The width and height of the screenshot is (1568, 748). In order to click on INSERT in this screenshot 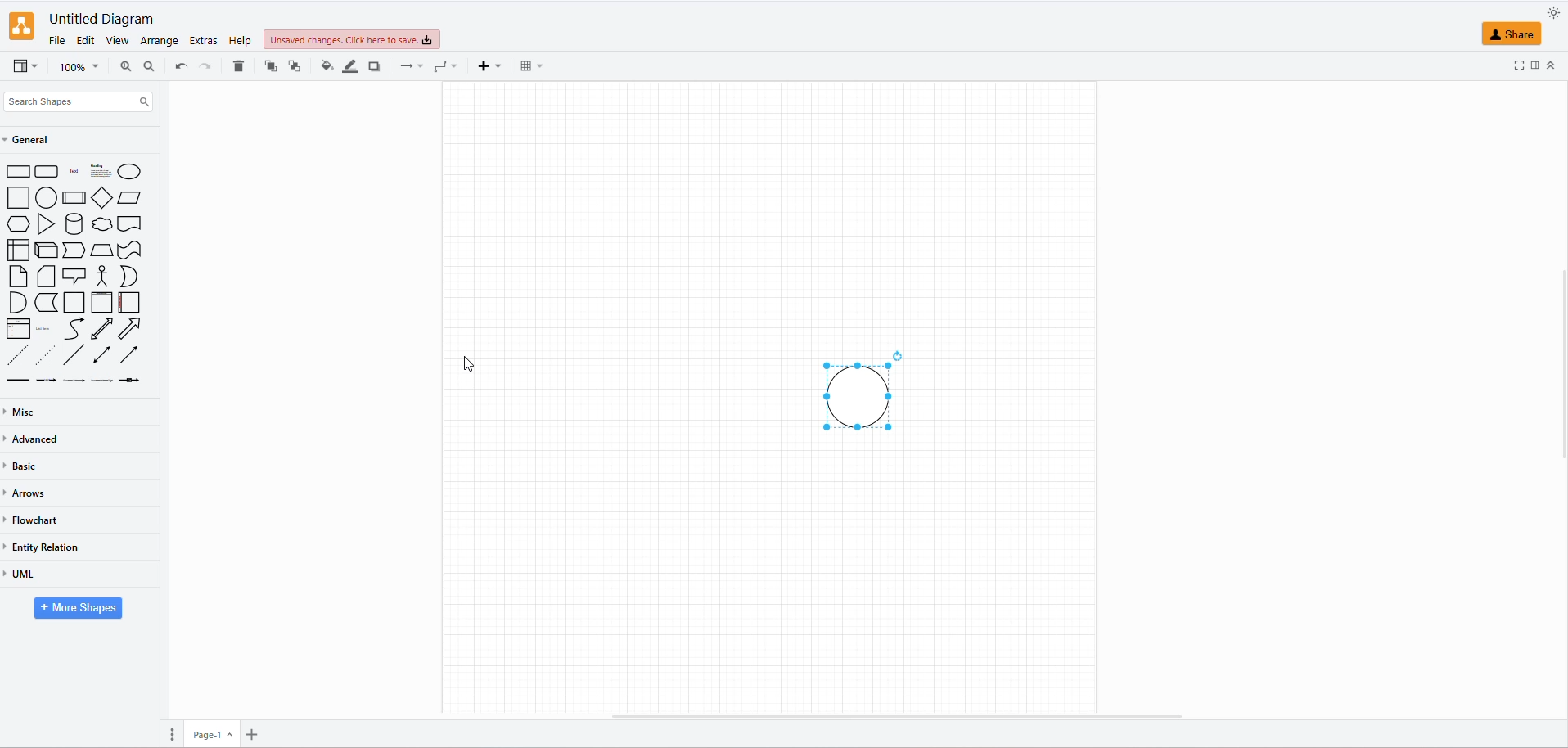, I will do `click(487, 67)`.